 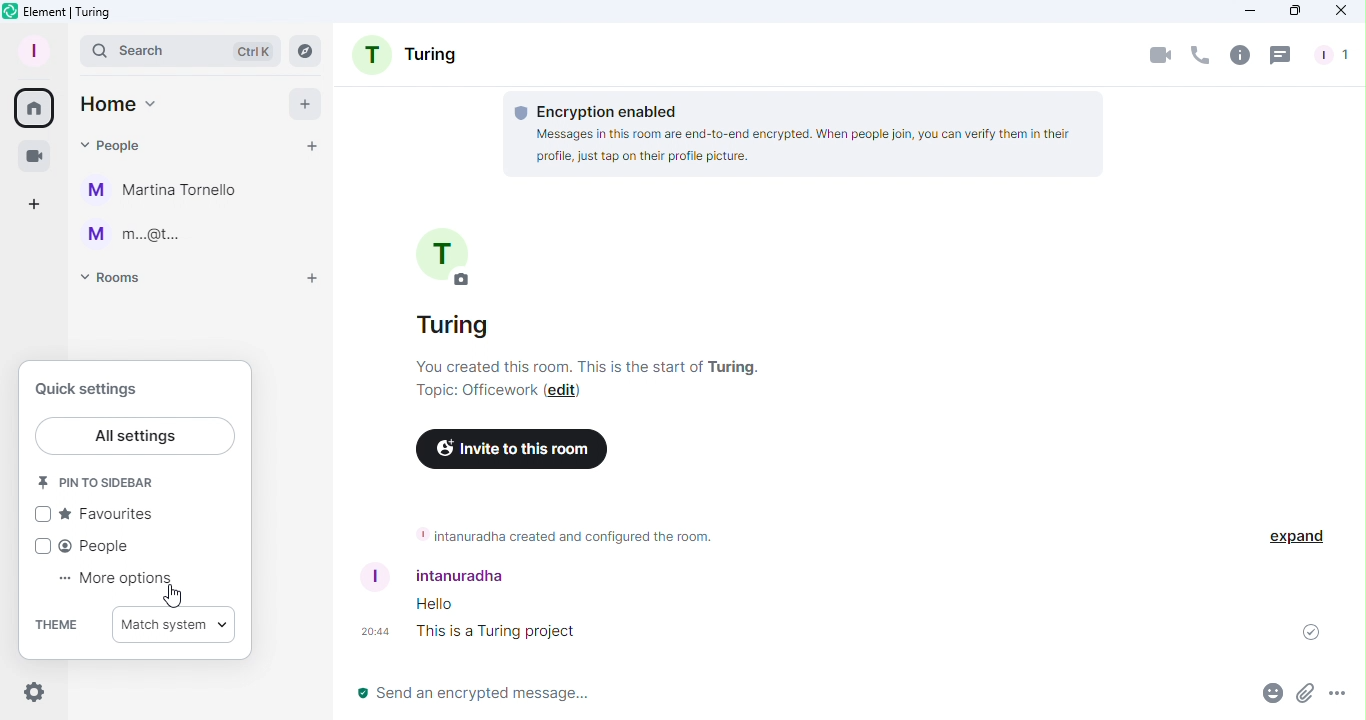 What do you see at coordinates (1268, 696) in the screenshot?
I see `Emoji` at bounding box center [1268, 696].